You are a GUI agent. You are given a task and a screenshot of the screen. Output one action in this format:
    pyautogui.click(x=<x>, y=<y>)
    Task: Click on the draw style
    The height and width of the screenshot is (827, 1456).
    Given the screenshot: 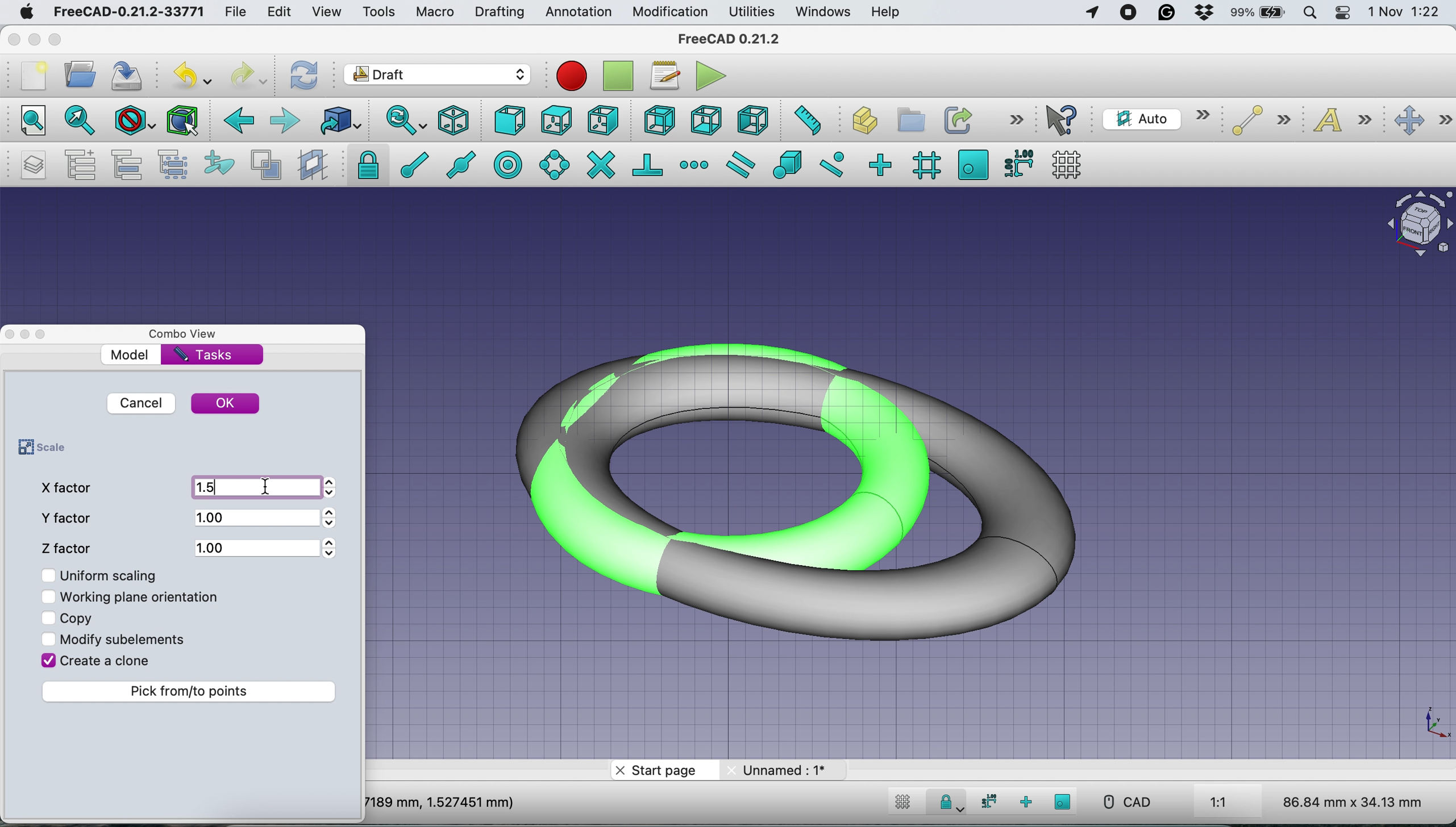 What is the action you would take?
    pyautogui.click(x=132, y=123)
    